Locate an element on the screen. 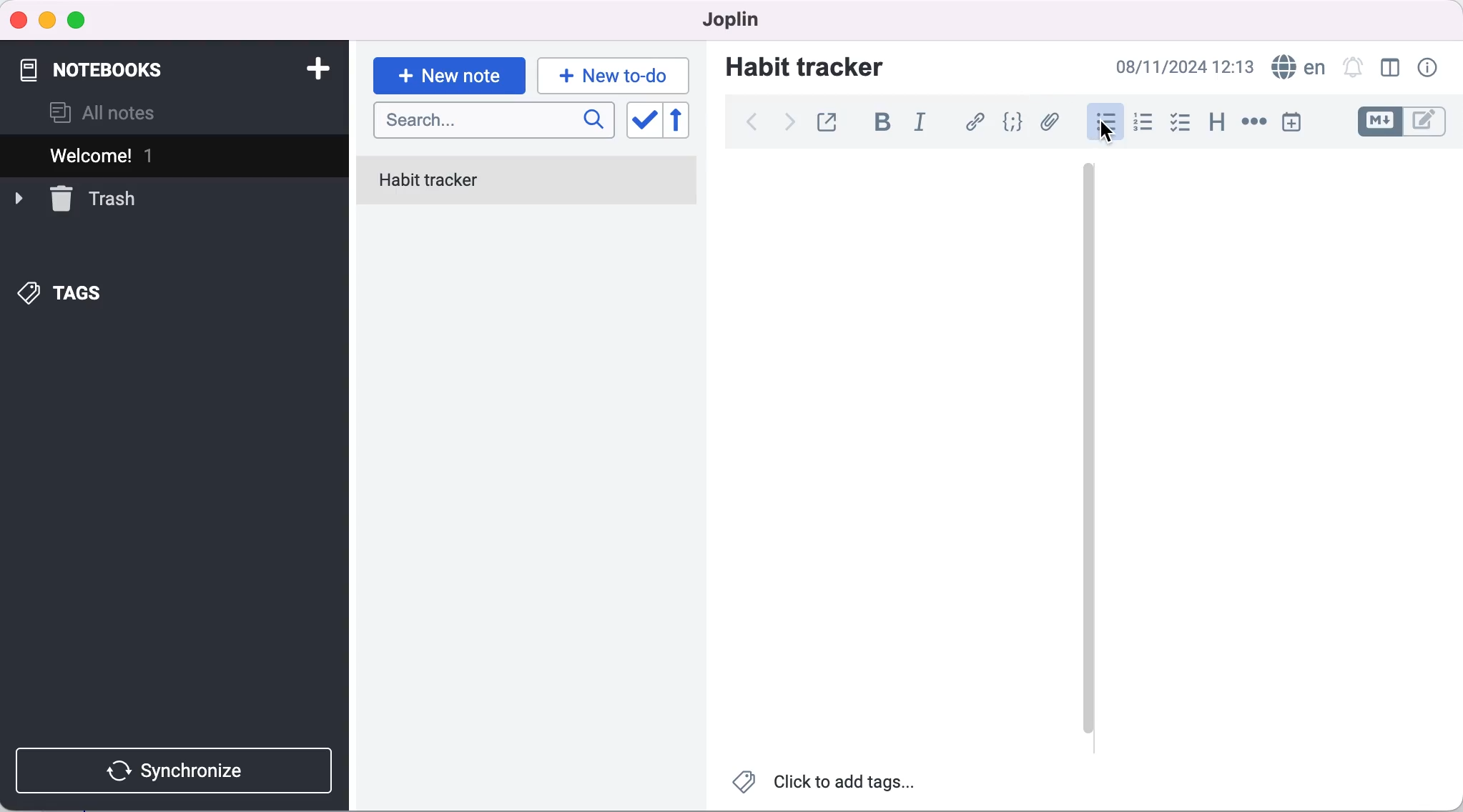 The height and width of the screenshot is (812, 1463). numbered list is located at coordinates (1147, 124).